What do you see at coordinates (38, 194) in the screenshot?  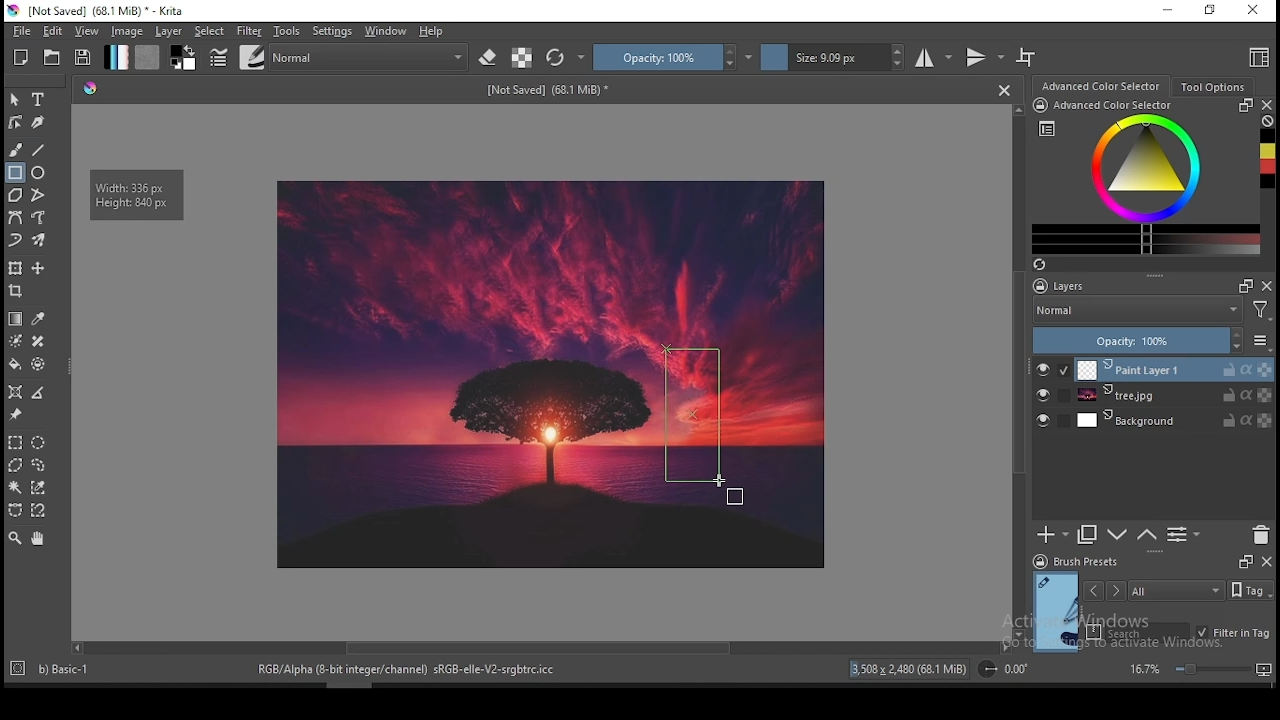 I see `polyline tool` at bounding box center [38, 194].